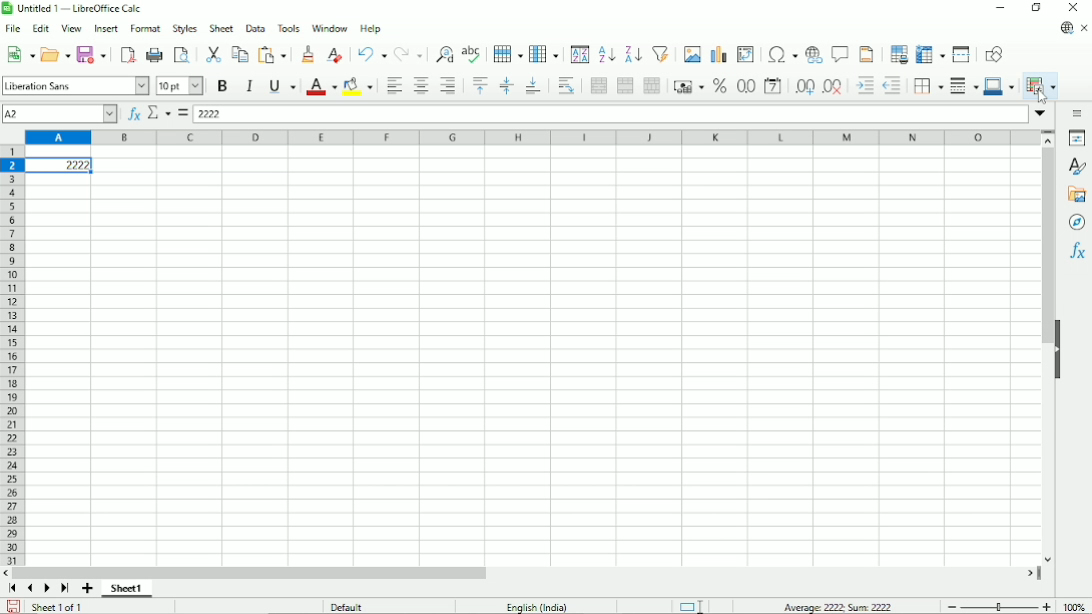 The width and height of the screenshot is (1092, 614). What do you see at coordinates (223, 86) in the screenshot?
I see `Bold` at bounding box center [223, 86].